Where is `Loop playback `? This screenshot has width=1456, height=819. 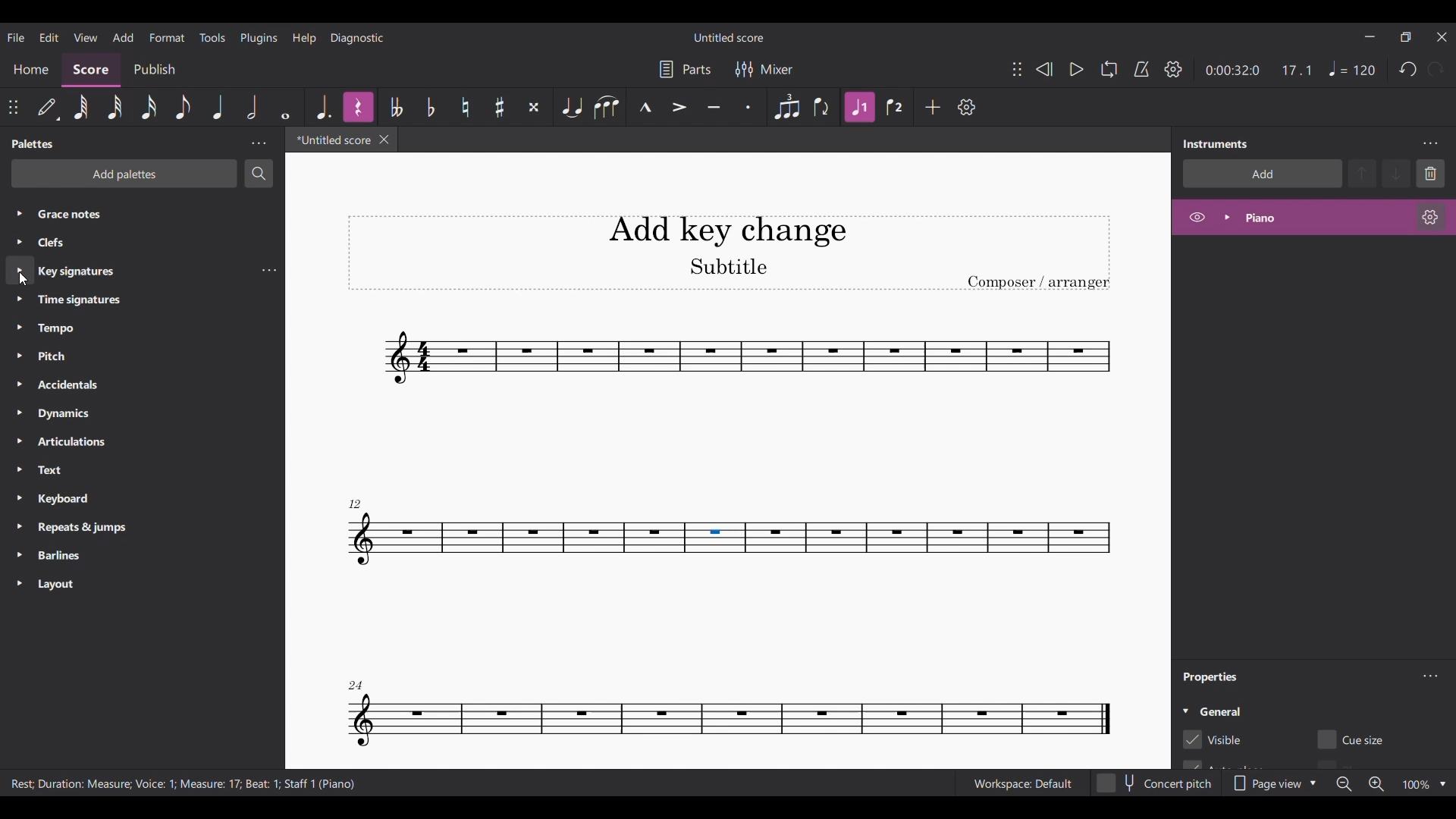
Loop playback  is located at coordinates (1109, 68).